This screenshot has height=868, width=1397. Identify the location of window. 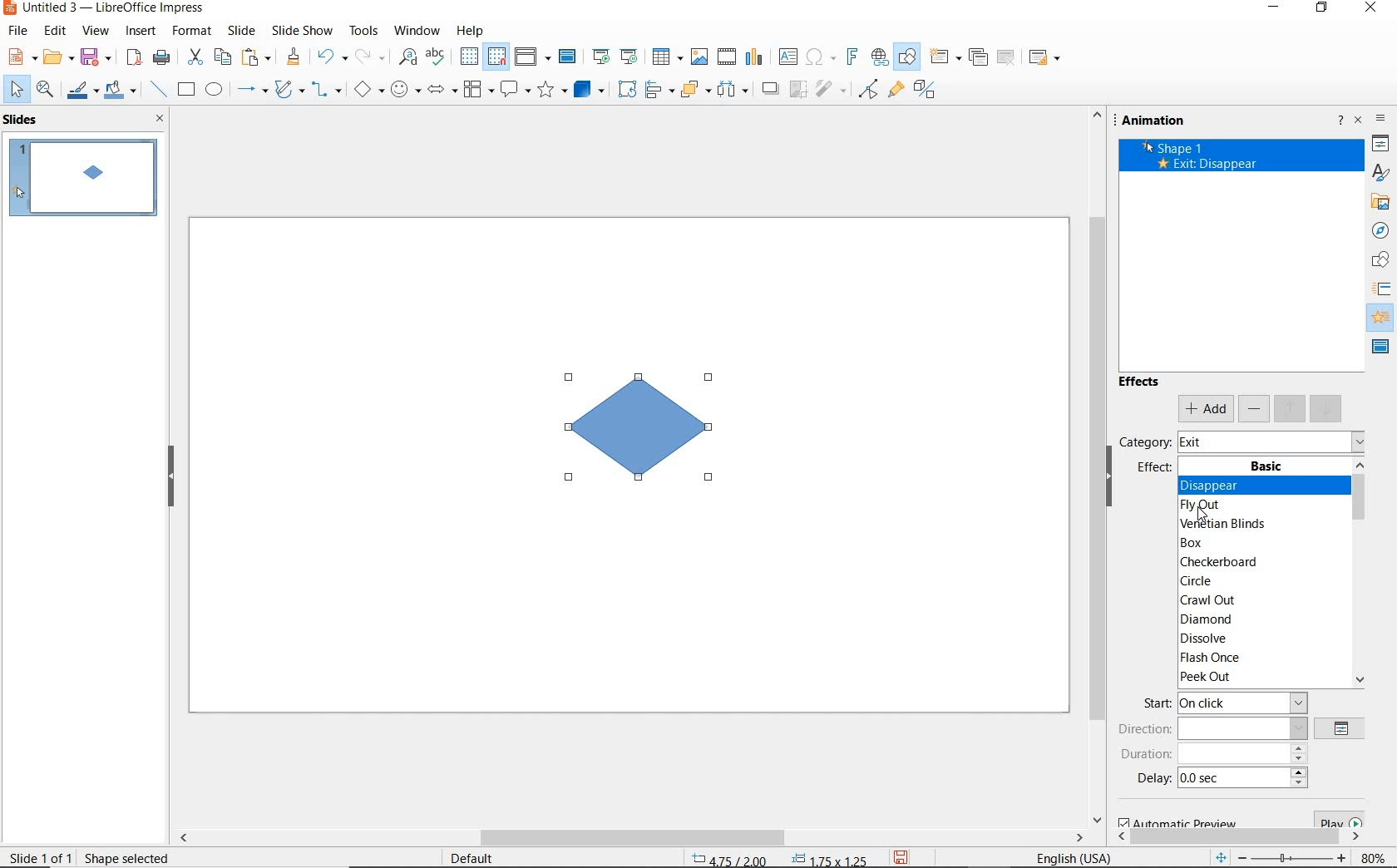
(419, 32).